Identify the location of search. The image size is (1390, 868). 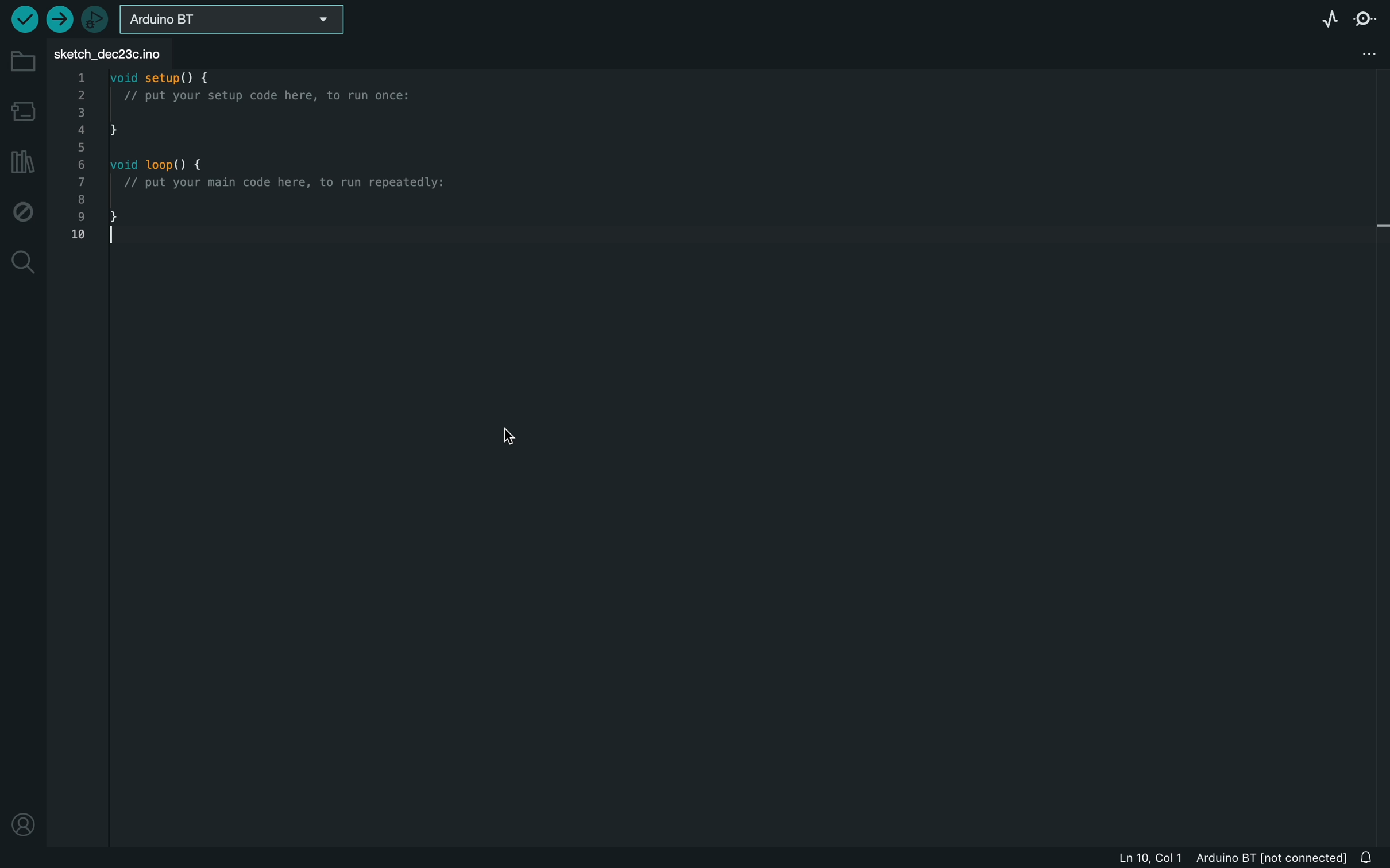
(22, 262).